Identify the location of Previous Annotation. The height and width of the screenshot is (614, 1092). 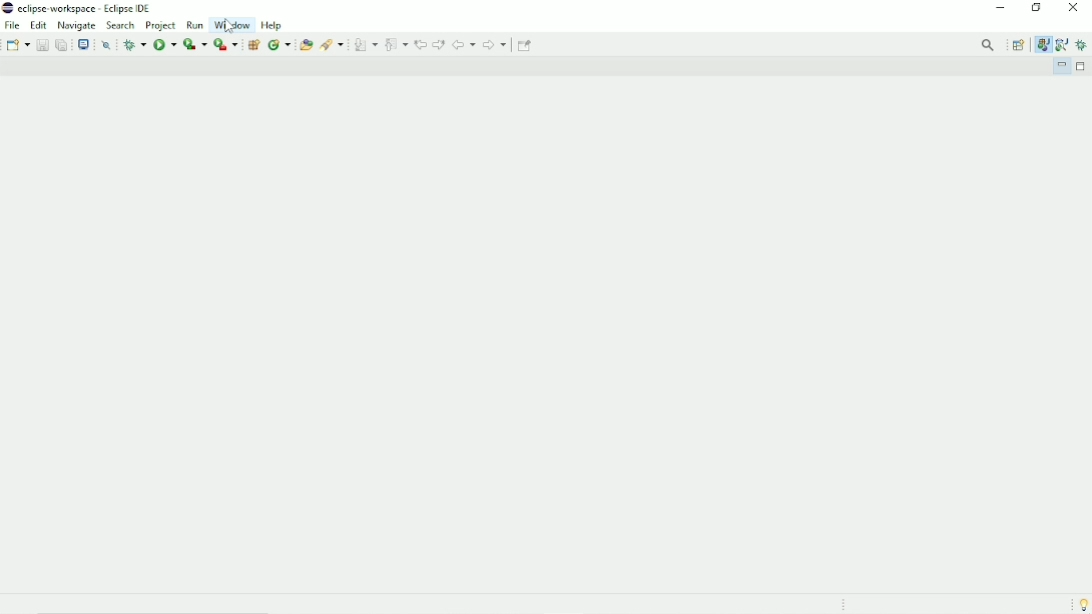
(396, 44).